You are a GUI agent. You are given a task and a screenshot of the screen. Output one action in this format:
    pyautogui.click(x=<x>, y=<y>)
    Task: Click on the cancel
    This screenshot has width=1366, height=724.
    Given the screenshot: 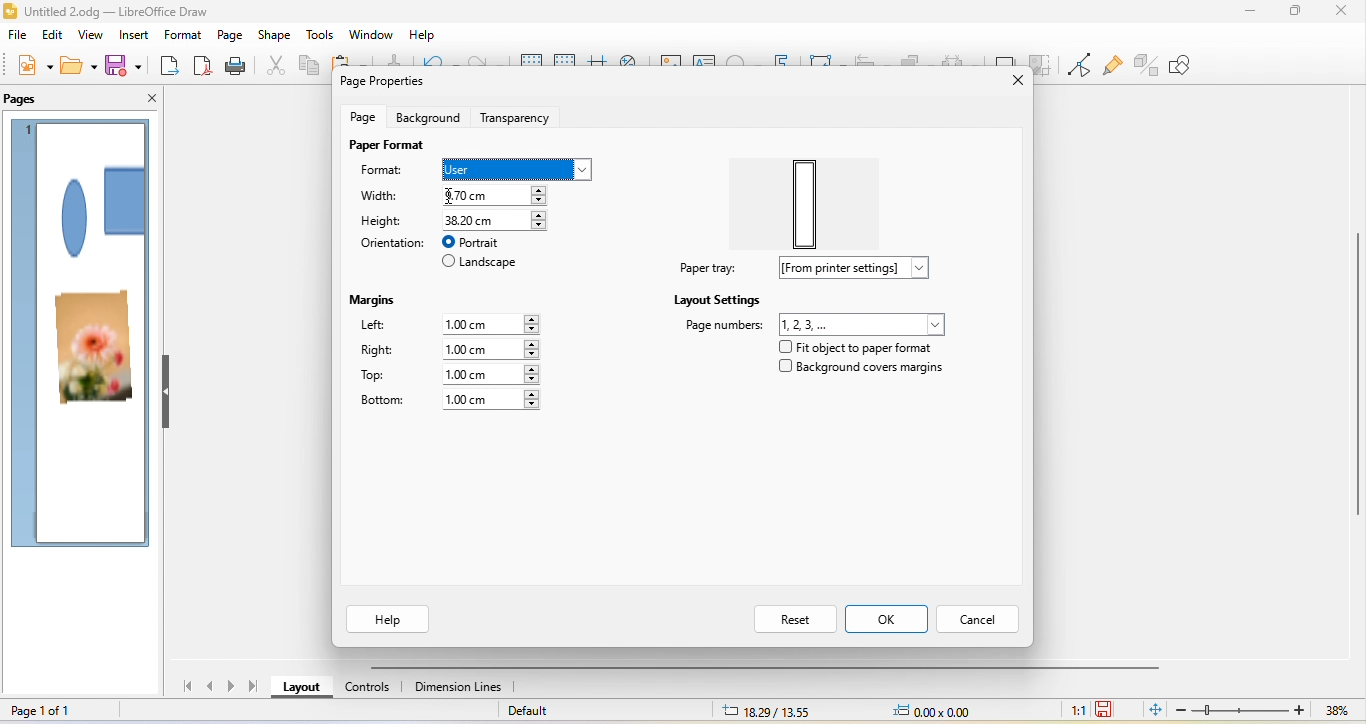 What is the action you would take?
    pyautogui.click(x=982, y=618)
    